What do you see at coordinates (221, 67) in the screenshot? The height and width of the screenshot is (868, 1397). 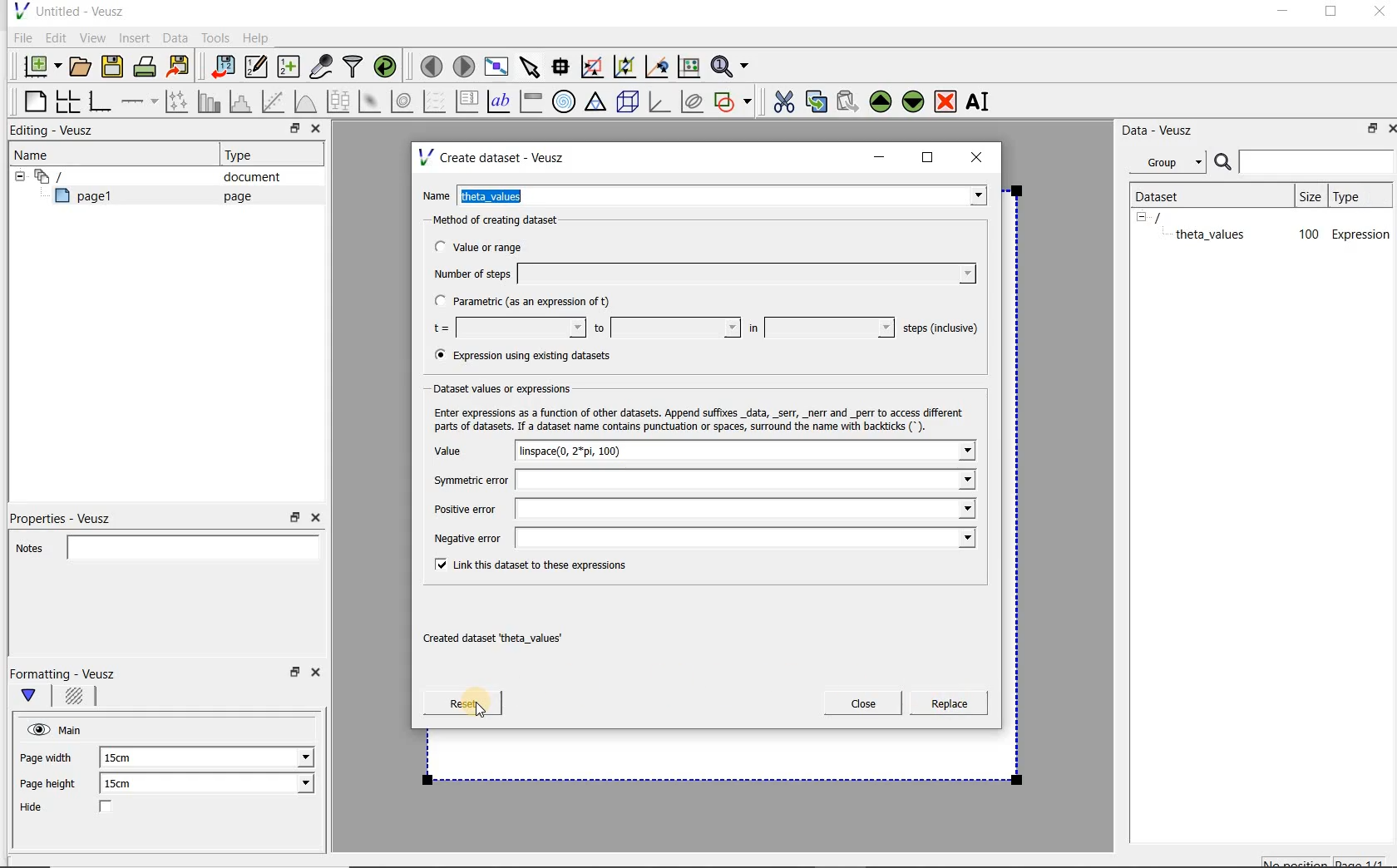 I see `import data into Veusz` at bounding box center [221, 67].